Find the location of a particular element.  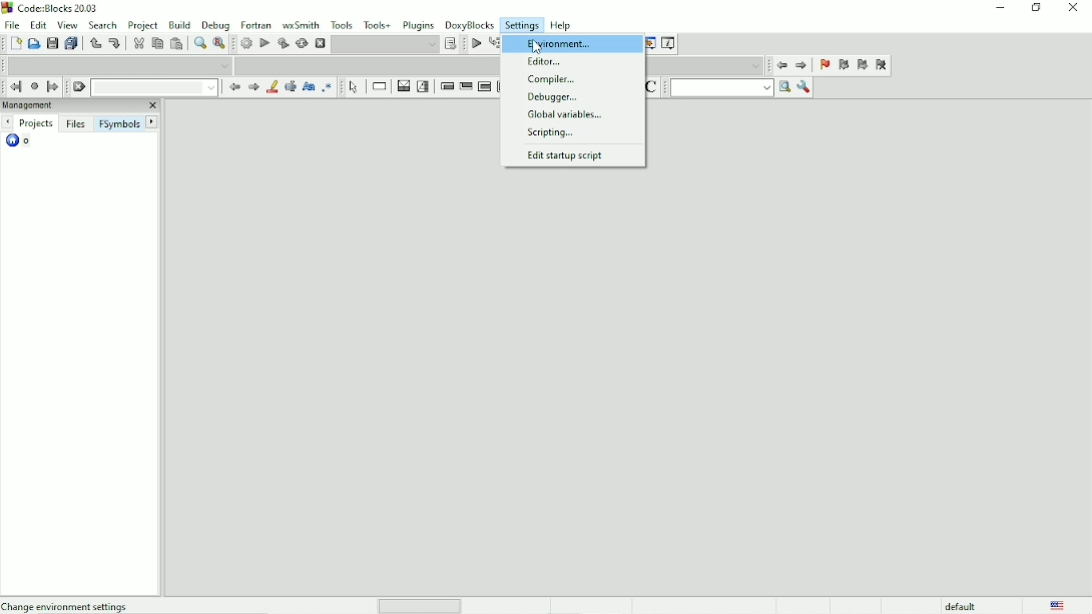

Debug is located at coordinates (216, 25).